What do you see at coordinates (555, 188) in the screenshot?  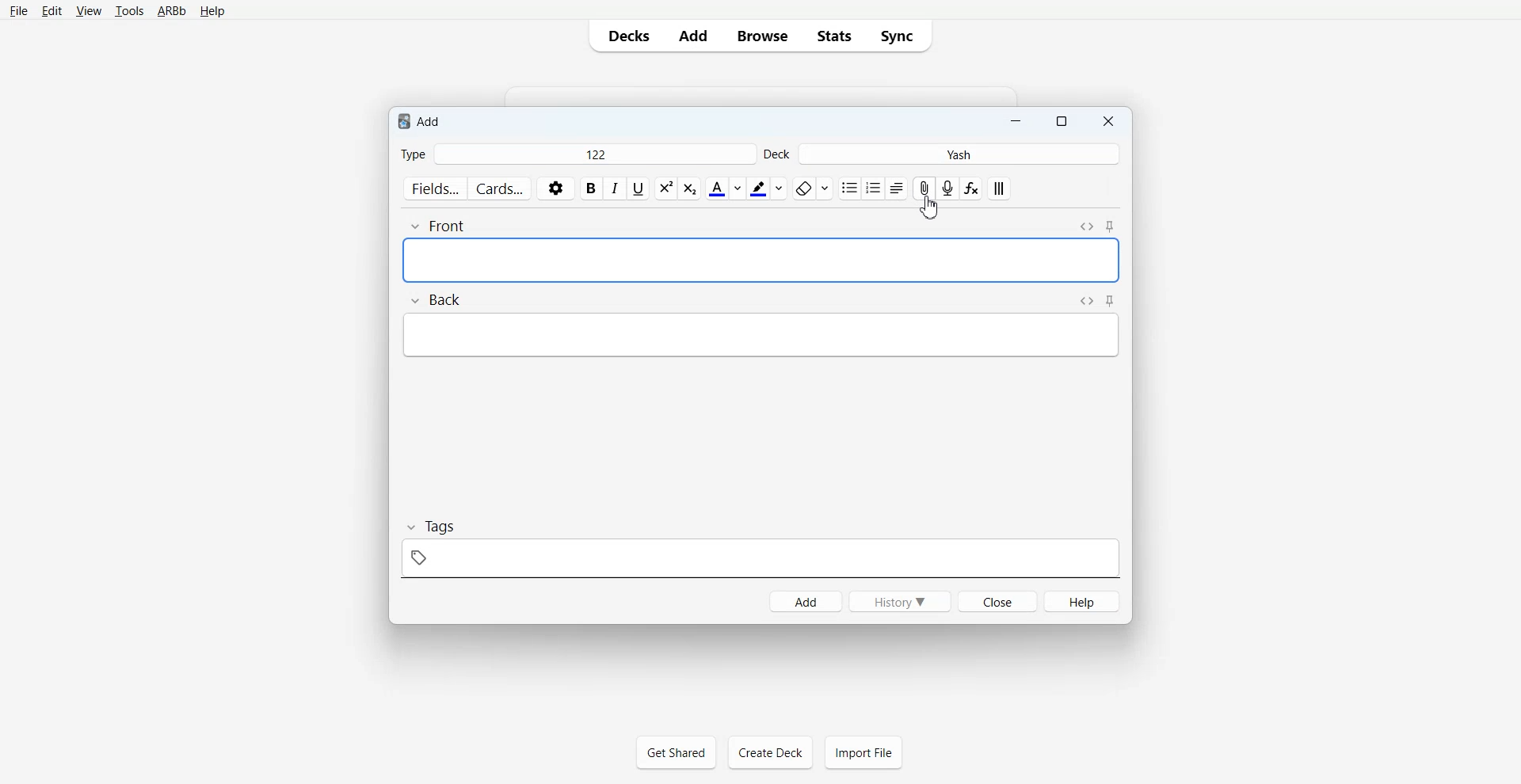 I see `Settings` at bounding box center [555, 188].